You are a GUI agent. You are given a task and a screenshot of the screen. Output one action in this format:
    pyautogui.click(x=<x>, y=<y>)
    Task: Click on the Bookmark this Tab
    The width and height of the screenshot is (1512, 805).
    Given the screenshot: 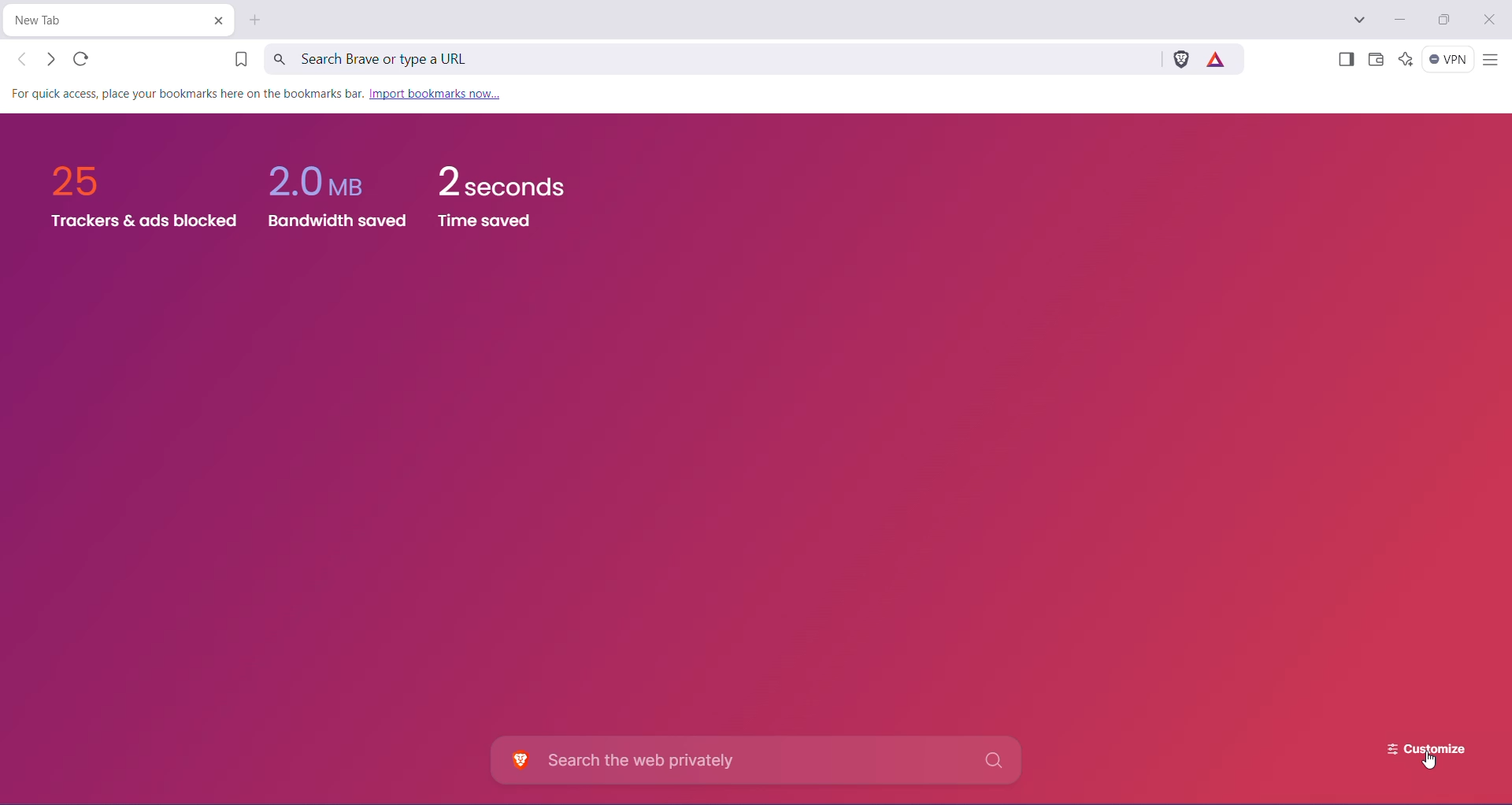 What is the action you would take?
    pyautogui.click(x=235, y=61)
    